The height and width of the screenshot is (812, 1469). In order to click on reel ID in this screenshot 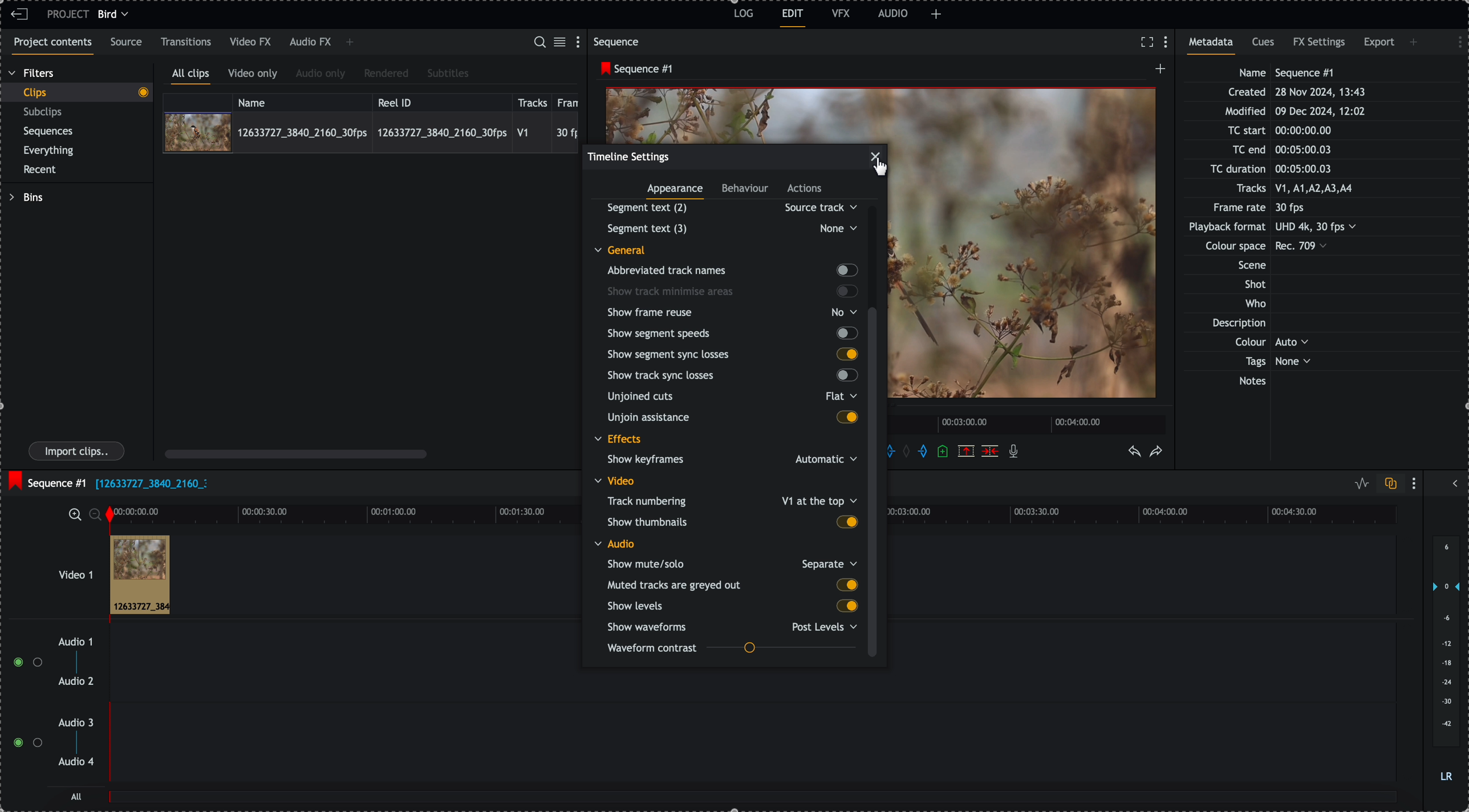, I will do `click(441, 100)`.